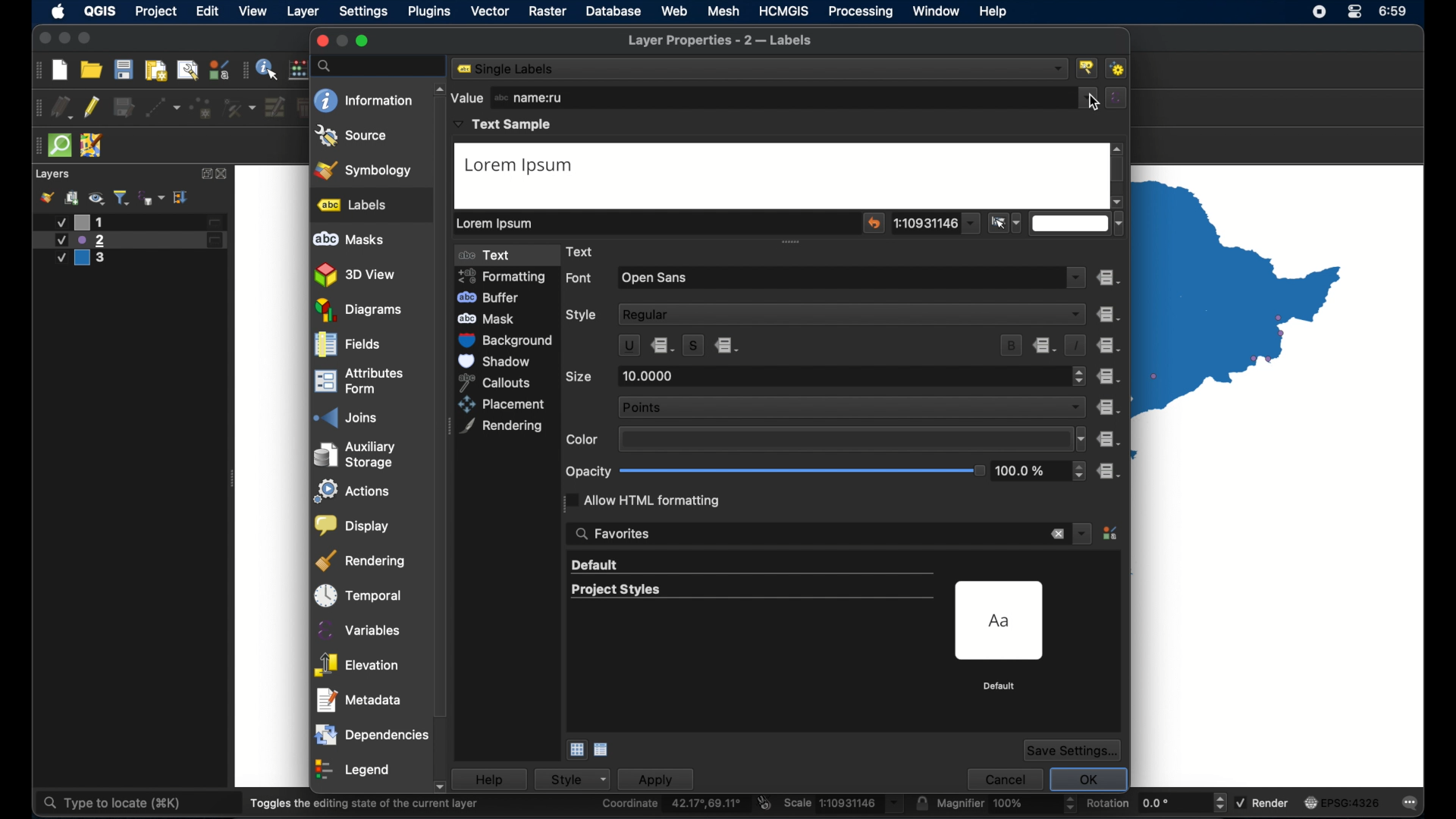 This screenshot has height=819, width=1456. Describe the element at coordinates (674, 11) in the screenshot. I see `web` at that location.